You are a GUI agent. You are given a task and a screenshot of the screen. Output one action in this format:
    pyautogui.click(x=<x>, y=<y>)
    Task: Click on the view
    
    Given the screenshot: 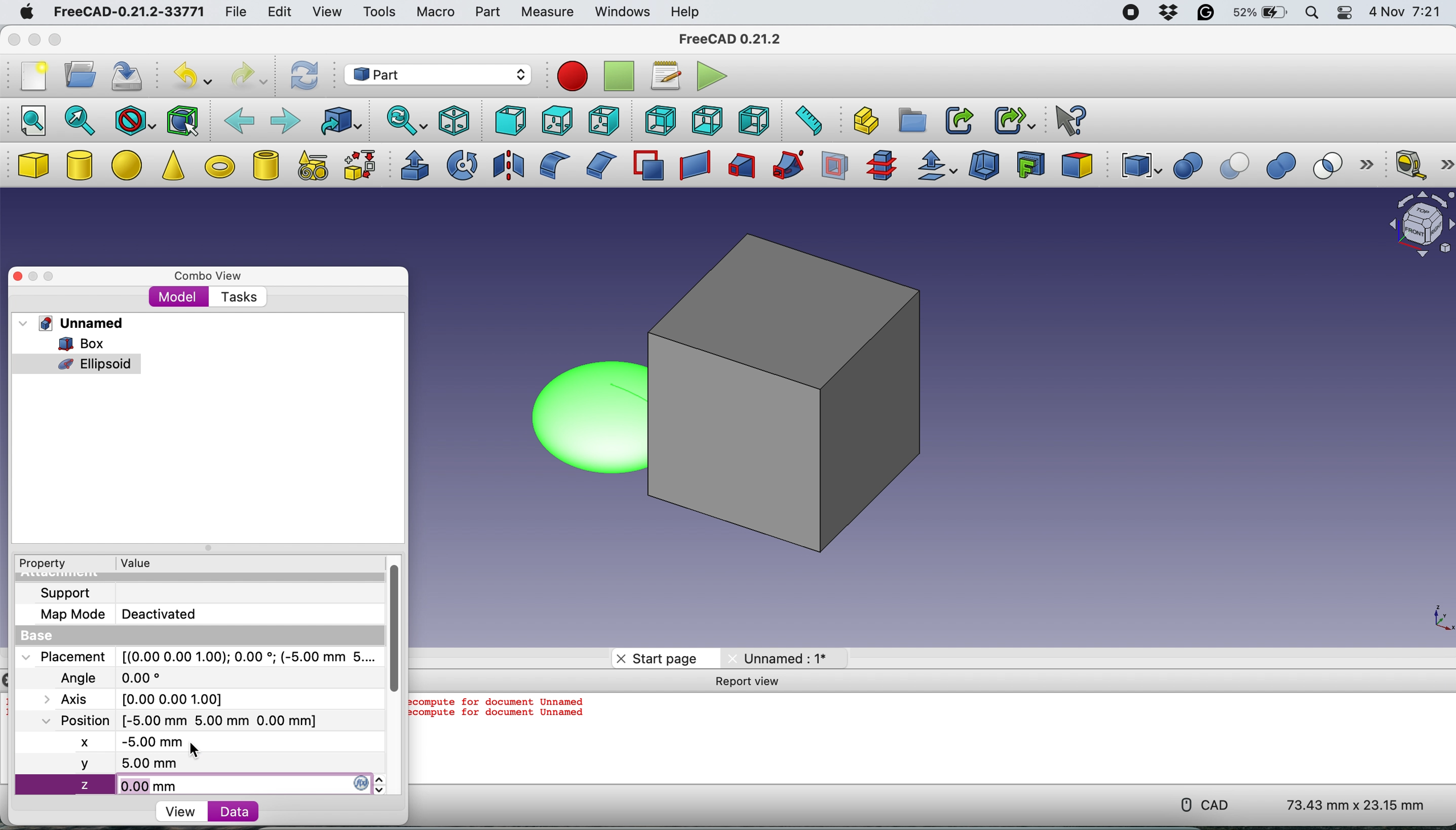 What is the action you would take?
    pyautogui.click(x=326, y=11)
    